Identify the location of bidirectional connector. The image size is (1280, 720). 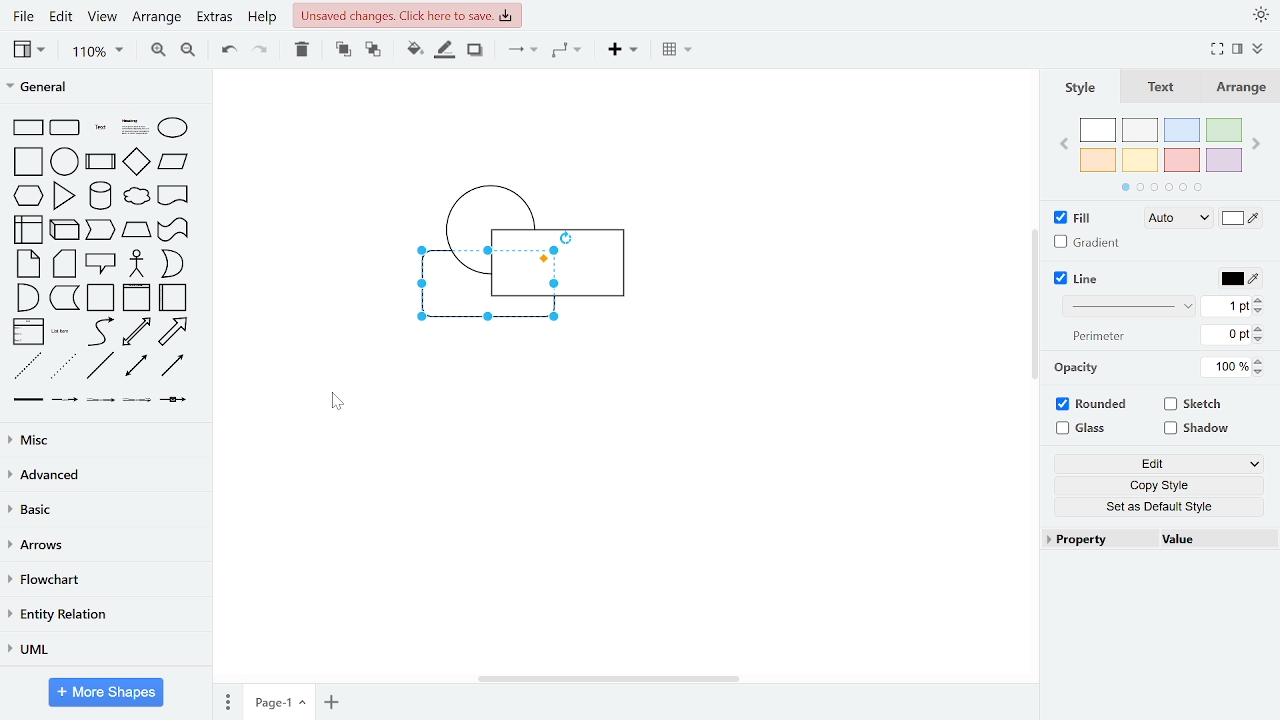
(137, 366).